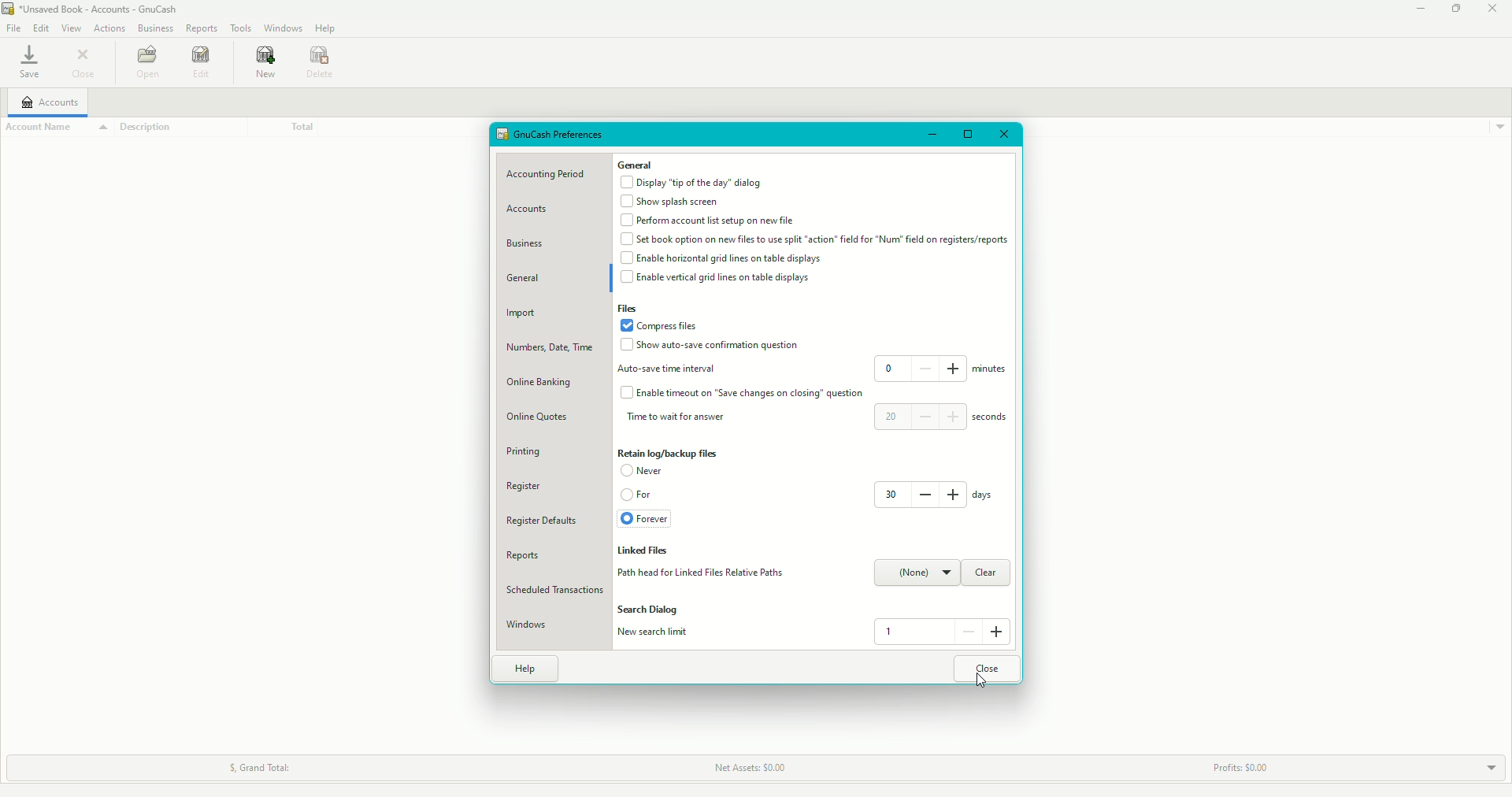 This screenshot has height=797, width=1512. What do you see at coordinates (654, 633) in the screenshot?
I see `New search limit` at bounding box center [654, 633].